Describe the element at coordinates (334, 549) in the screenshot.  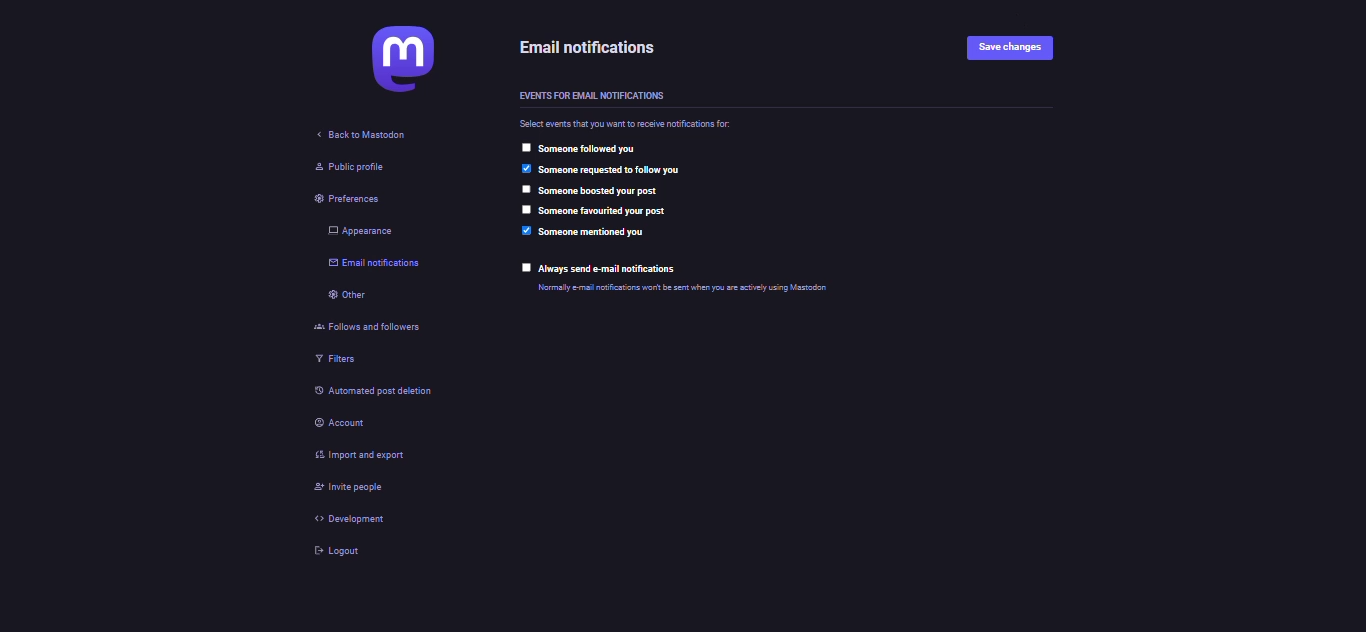
I see `logout` at that location.